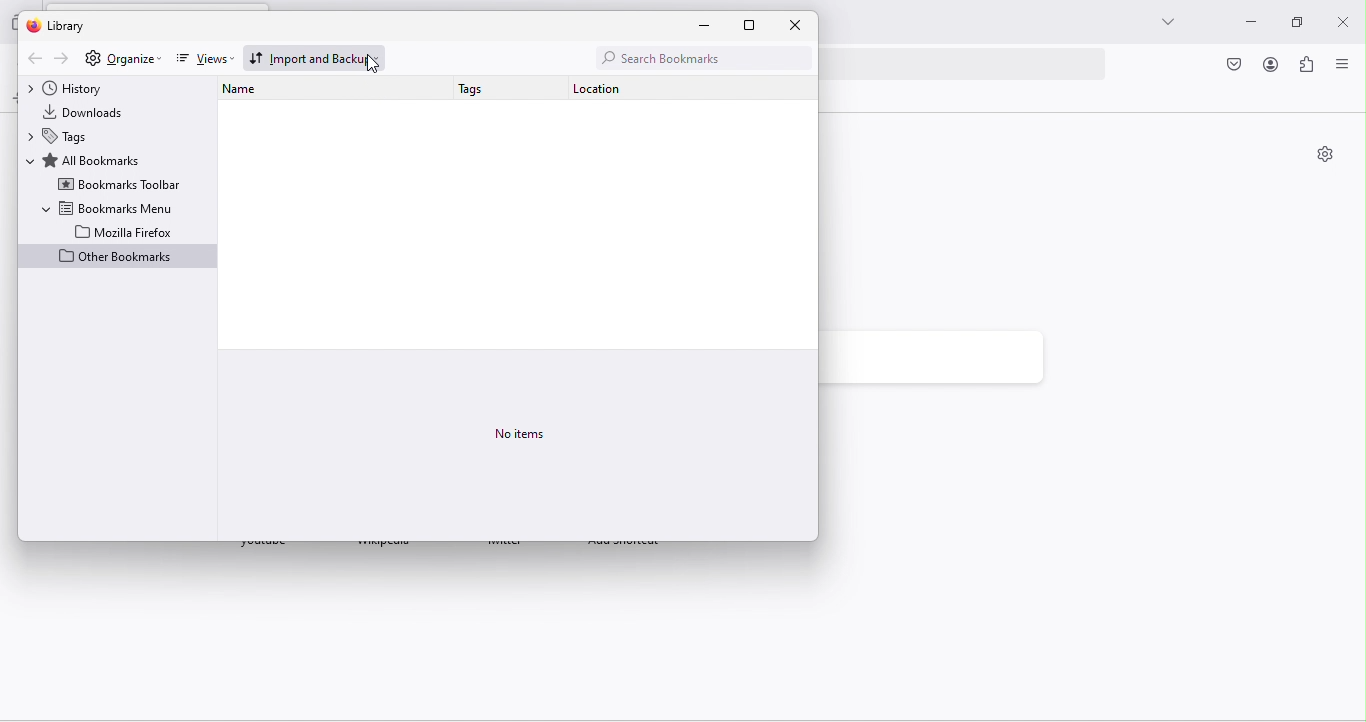 The width and height of the screenshot is (1366, 722). Describe the element at coordinates (611, 92) in the screenshot. I see `location` at that location.